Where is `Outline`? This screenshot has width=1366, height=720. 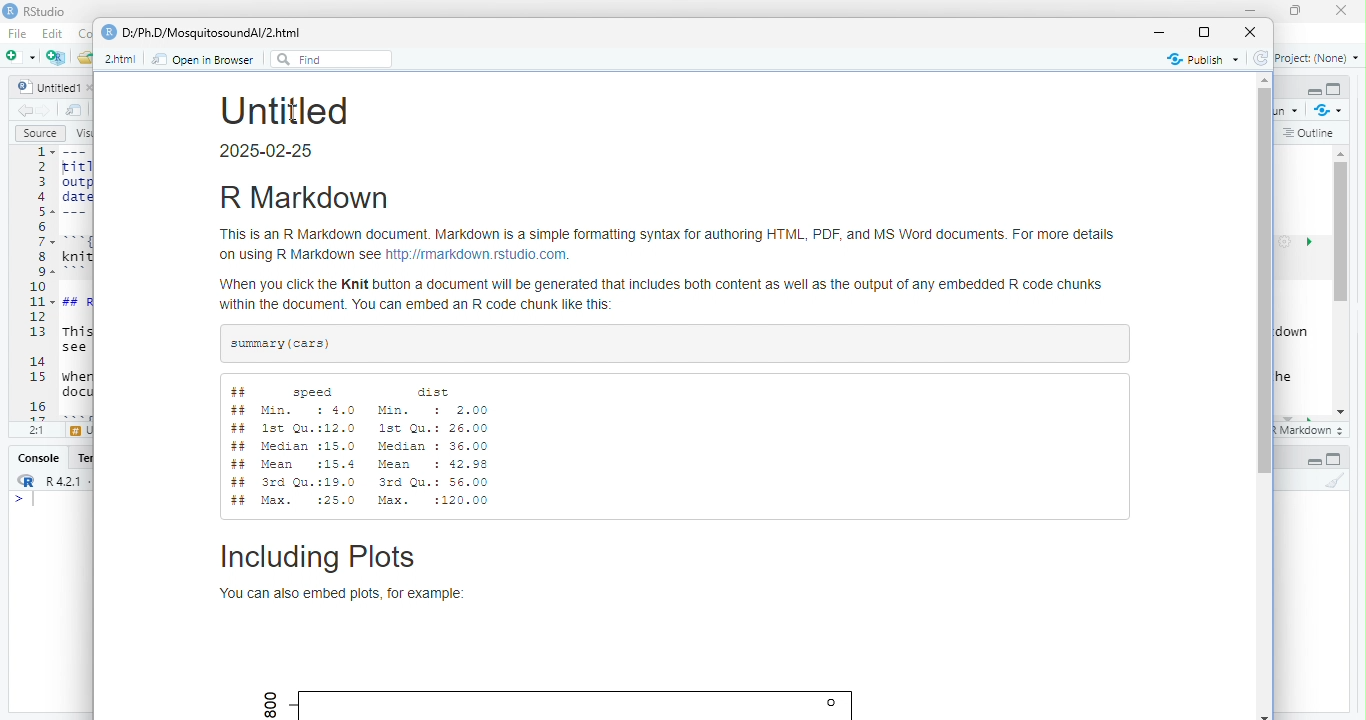
Outline is located at coordinates (1310, 134).